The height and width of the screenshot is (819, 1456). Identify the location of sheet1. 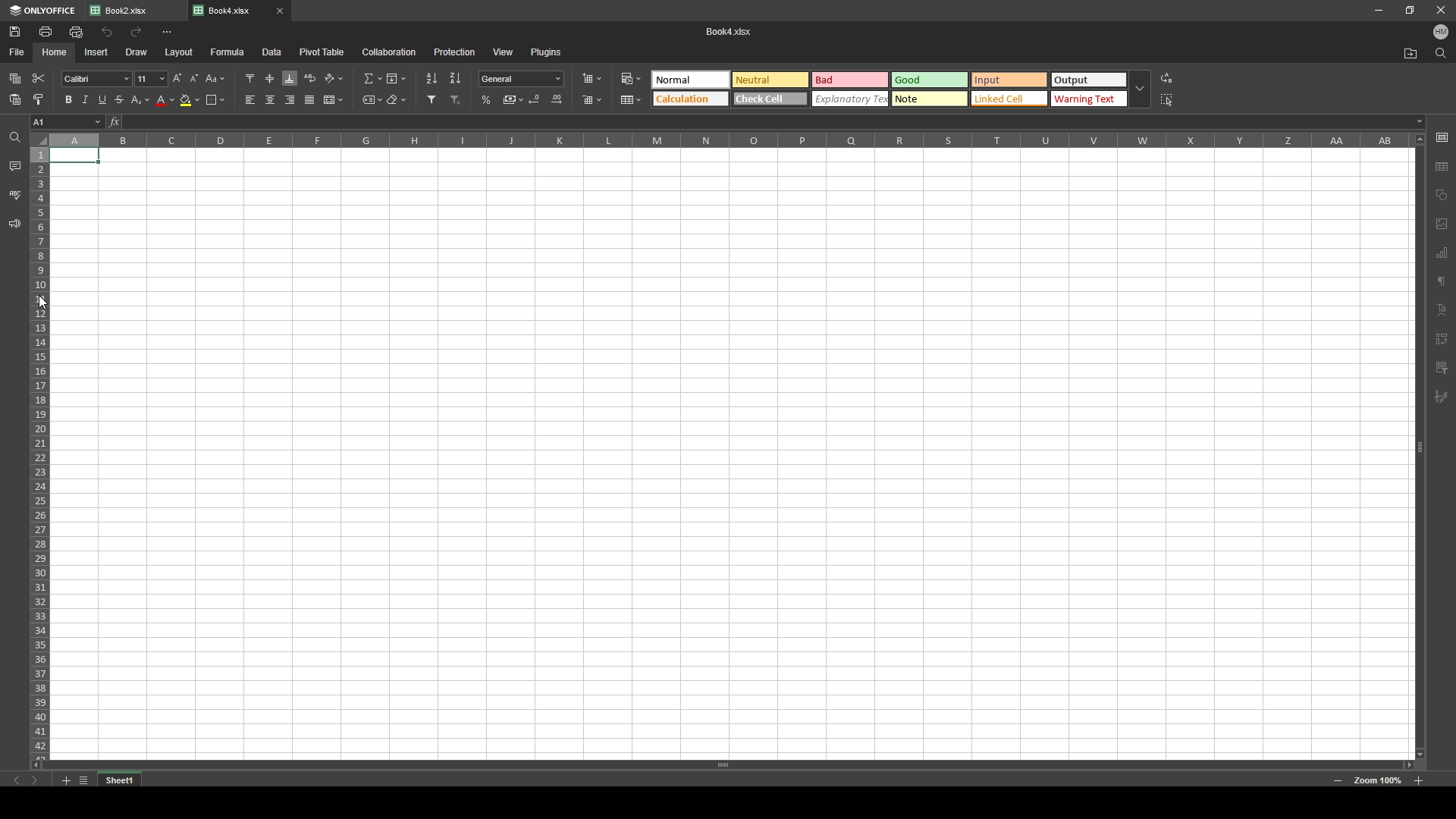
(121, 780).